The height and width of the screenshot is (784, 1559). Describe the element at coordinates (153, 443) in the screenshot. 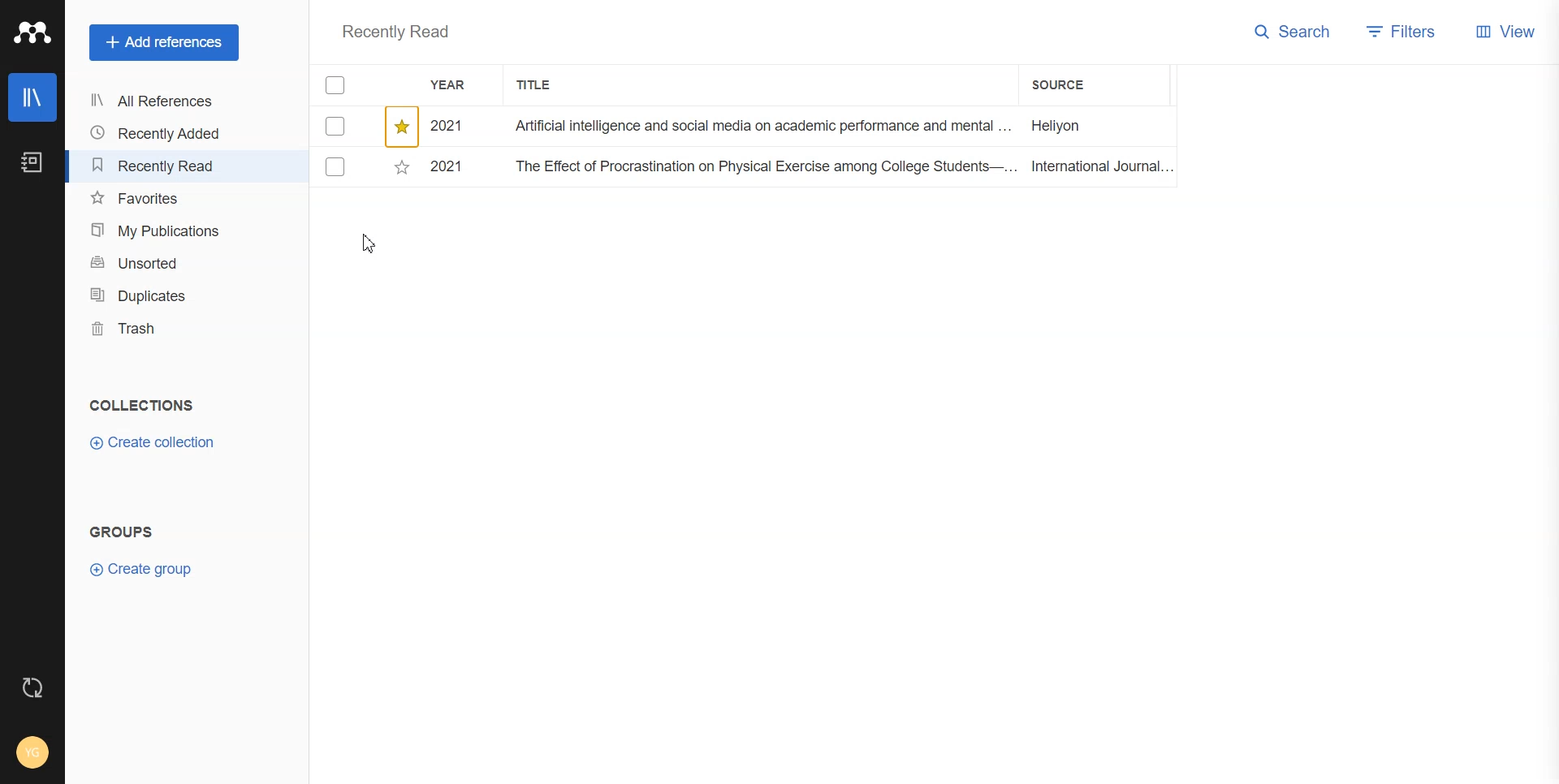

I see `Create collection` at that location.